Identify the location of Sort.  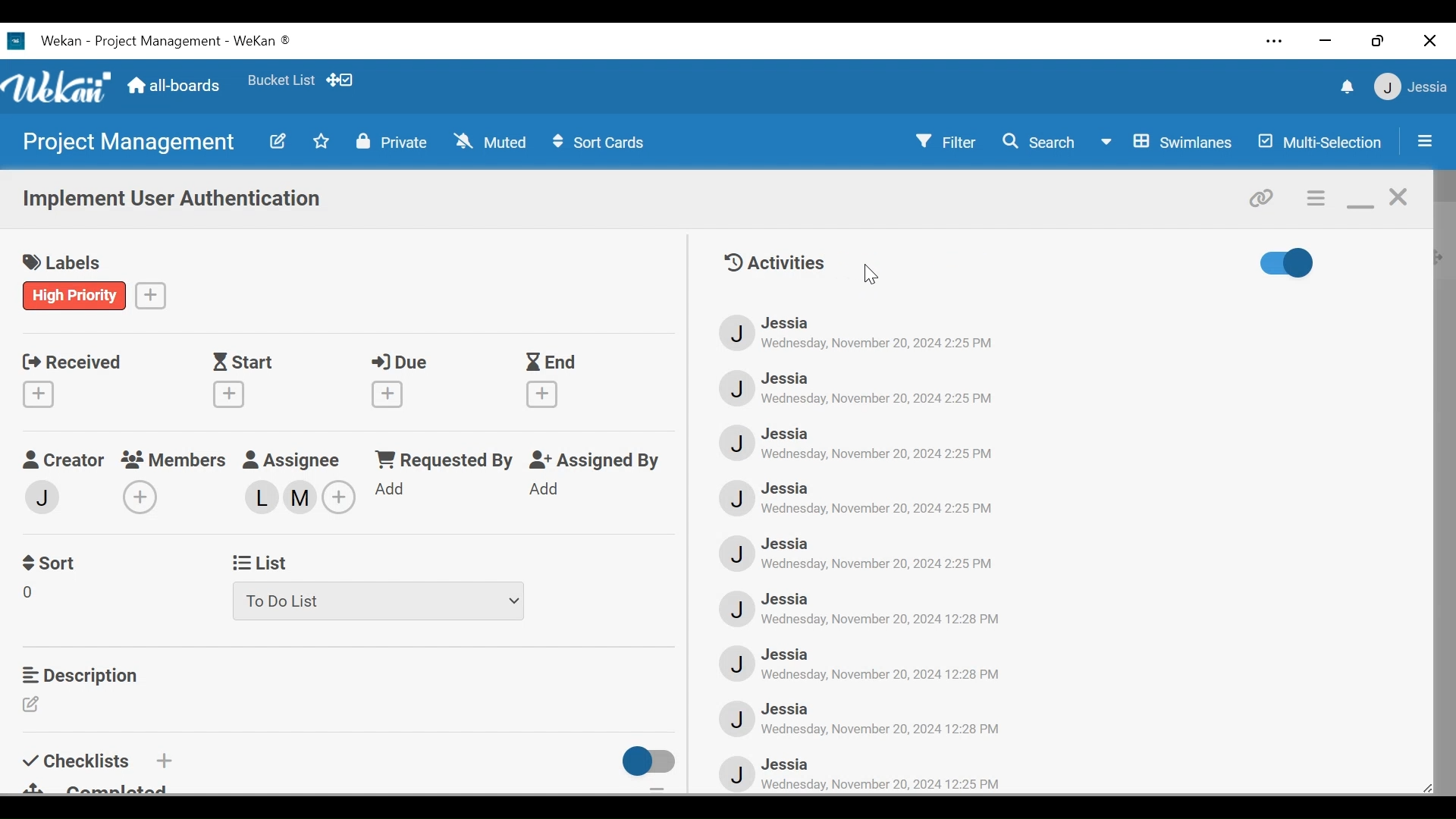
(47, 561).